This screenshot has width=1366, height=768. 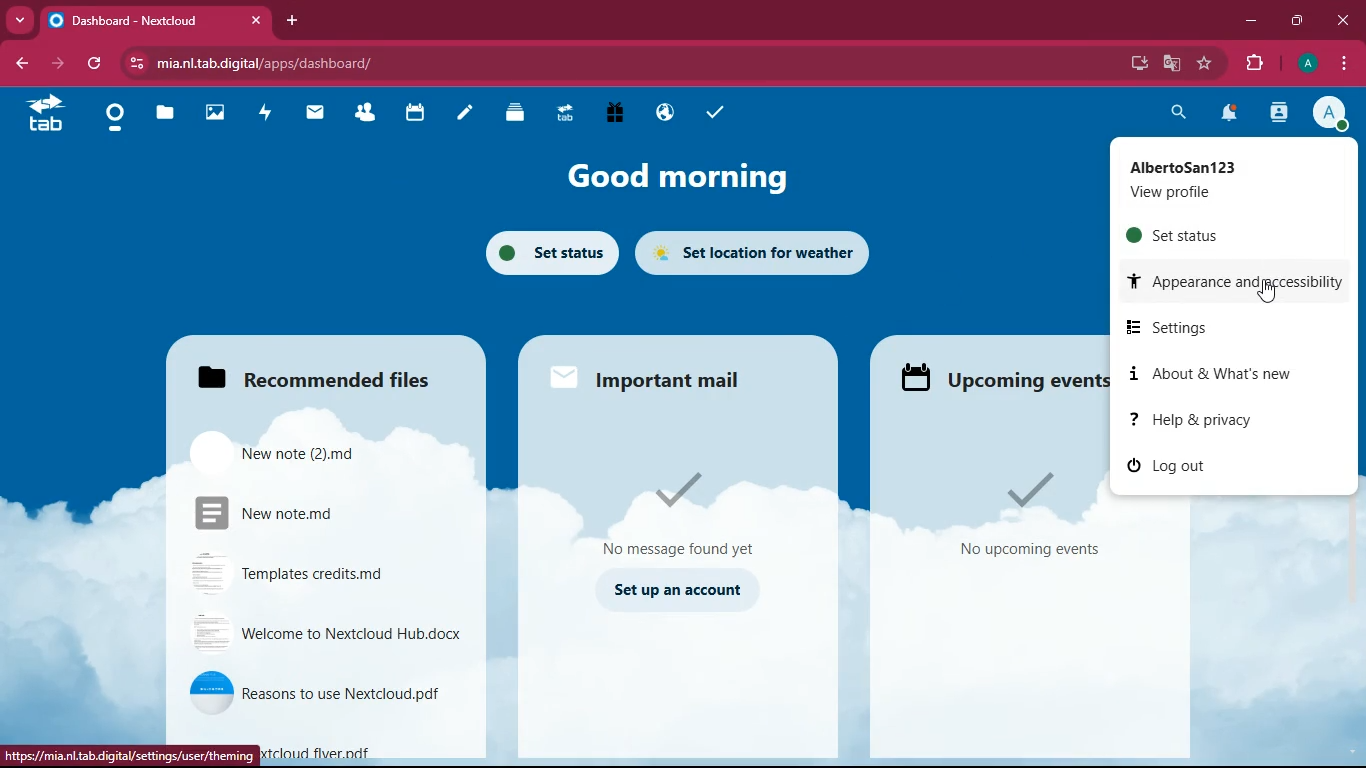 I want to click on tab, so click(x=136, y=20).